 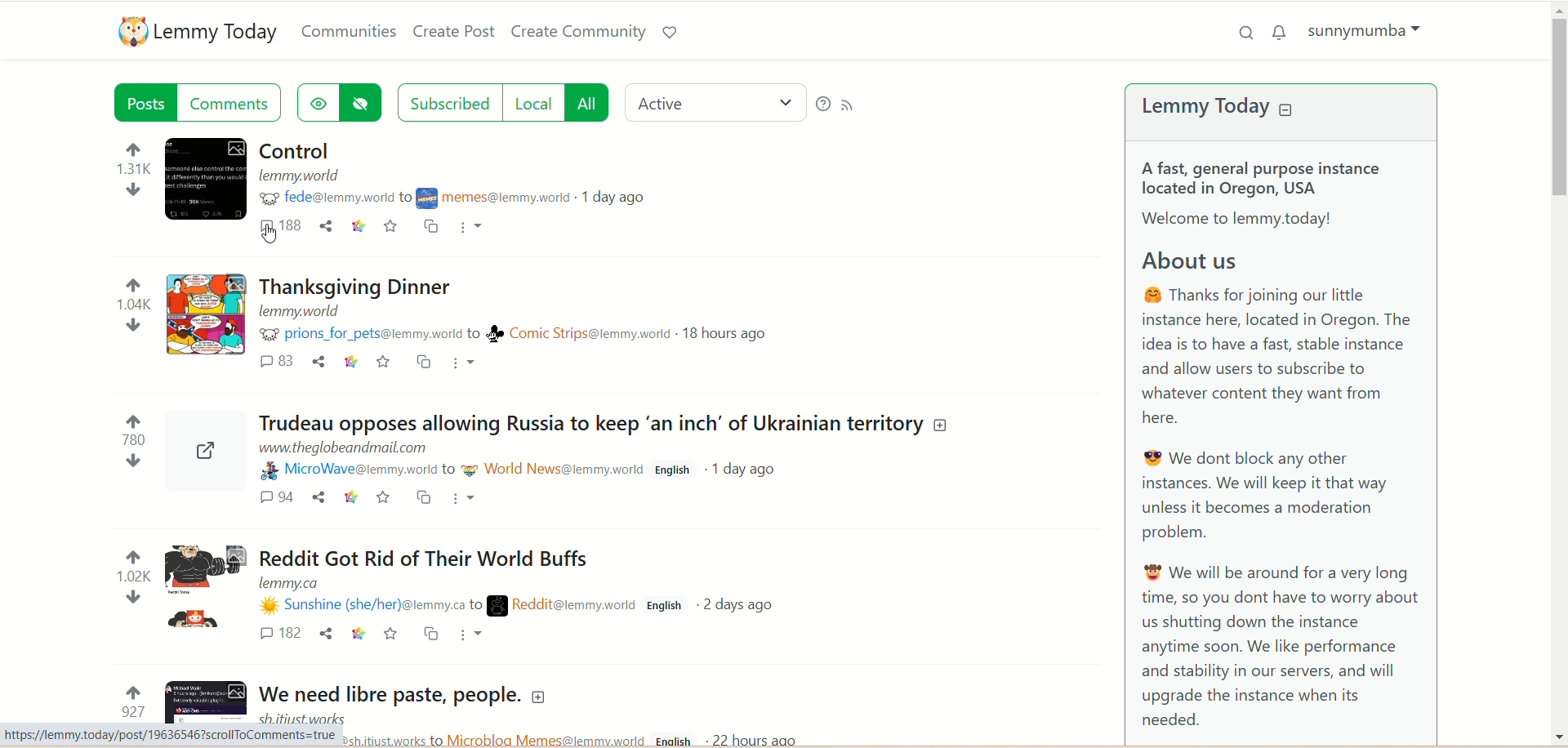 What do you see at coordinates (233, 101) in the screenshot?
I see `comment` at bounding box center [233, 101].